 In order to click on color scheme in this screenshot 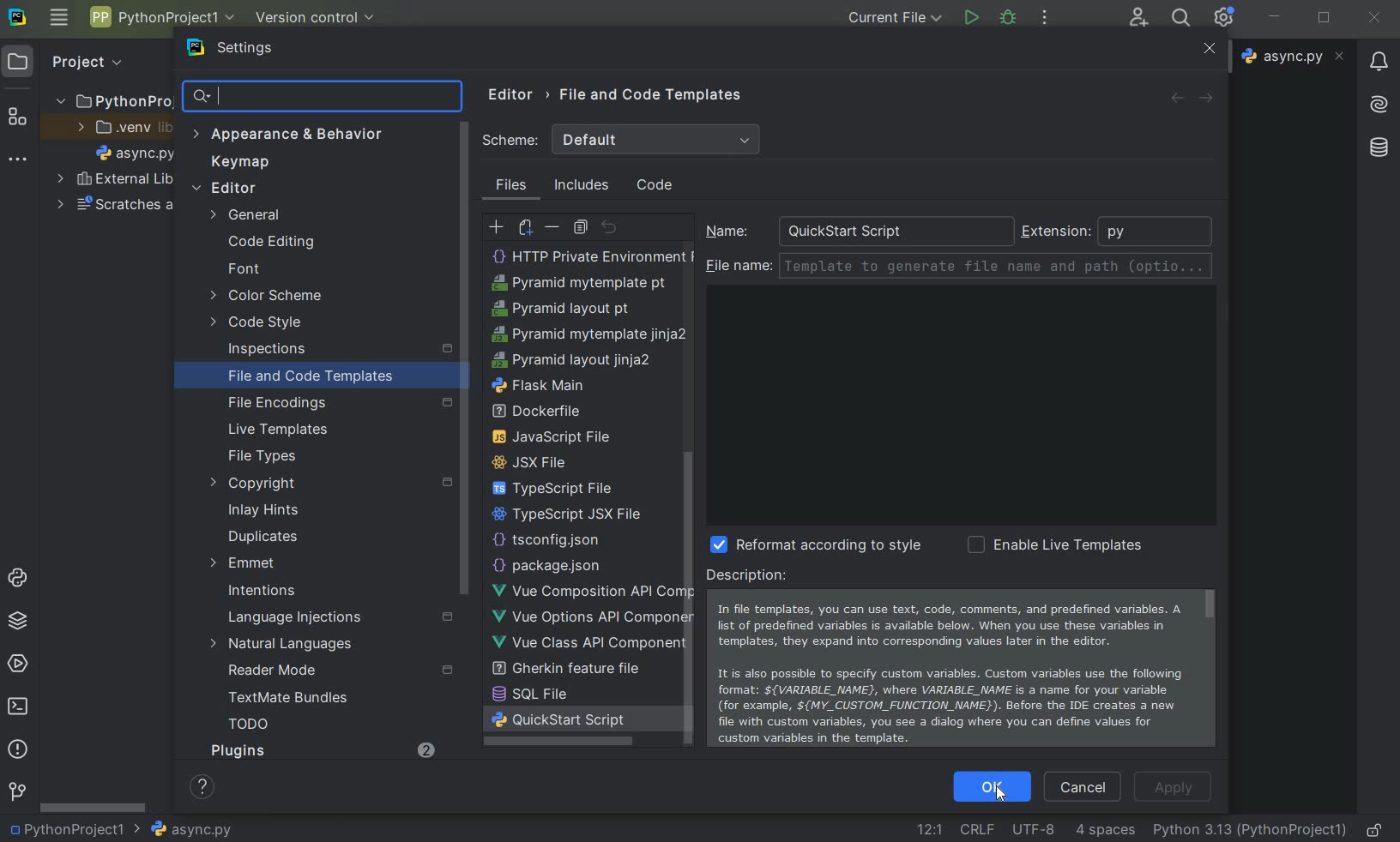, I will do `click(278, 295)`.